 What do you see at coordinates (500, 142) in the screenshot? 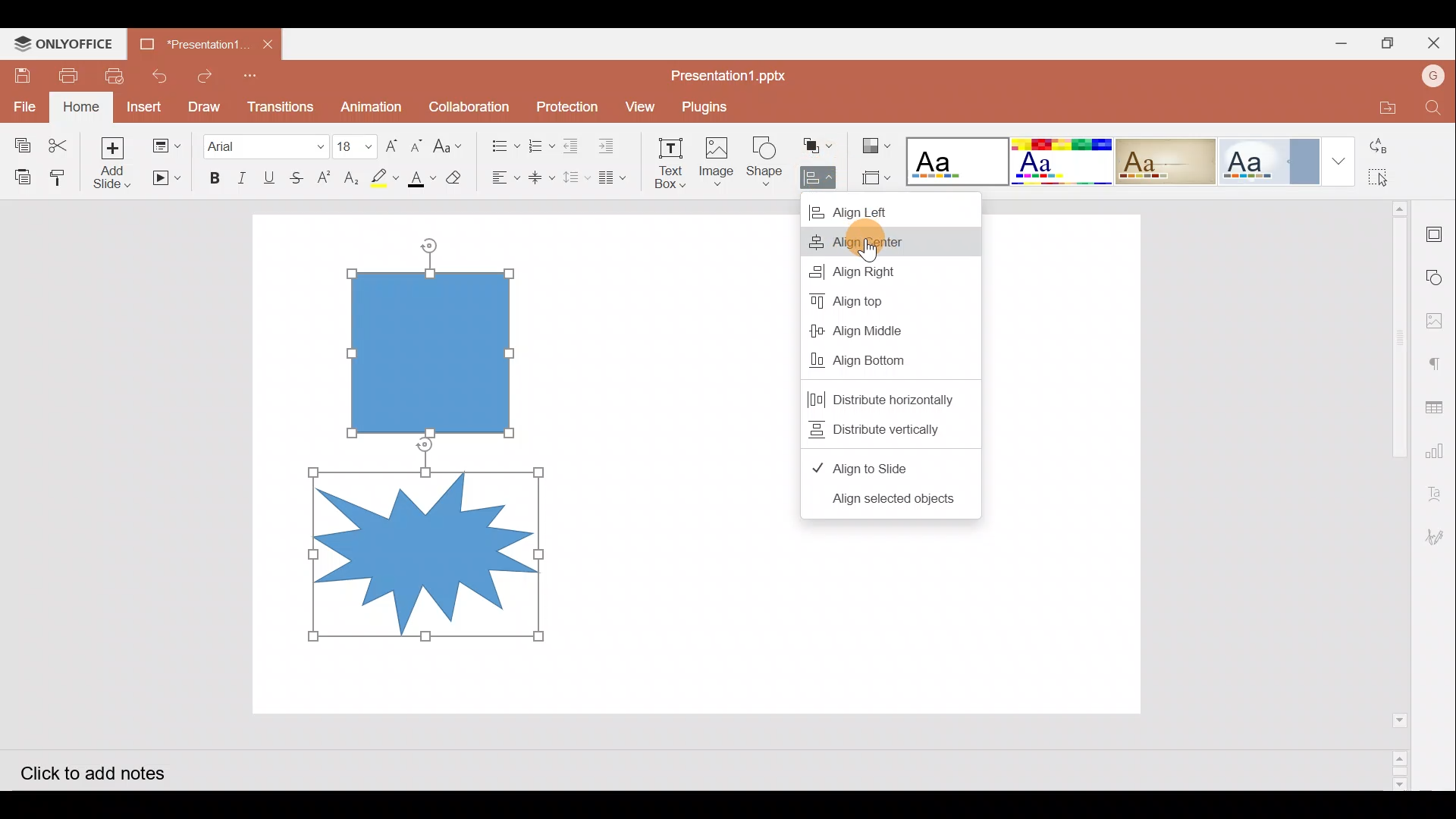
I see `Bullets` at bounding box center [500, 142].